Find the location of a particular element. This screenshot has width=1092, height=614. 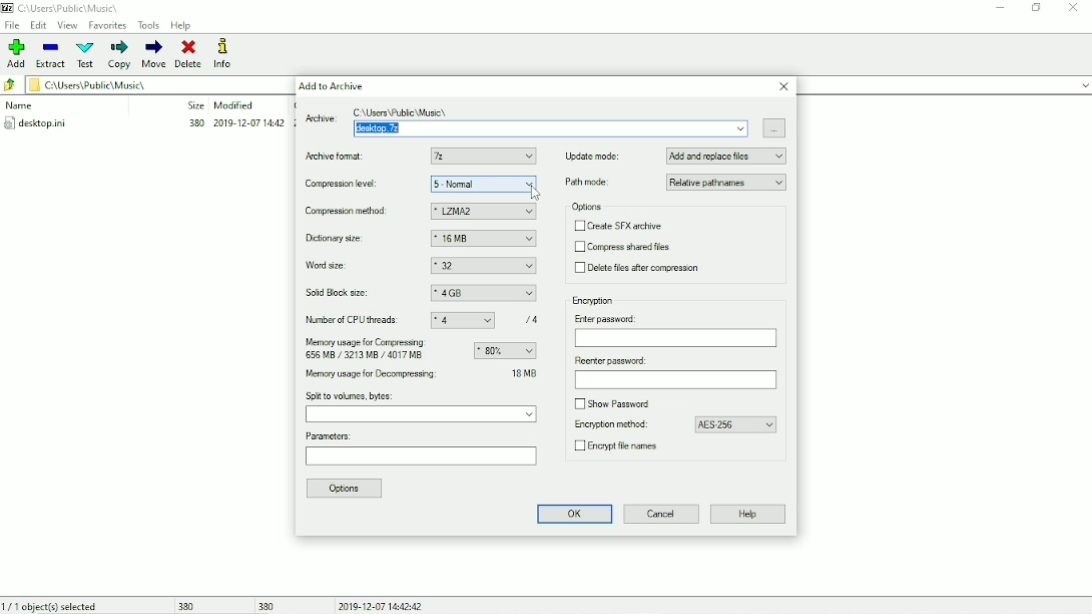

desktop.ini is located at coordinates (143, 125).